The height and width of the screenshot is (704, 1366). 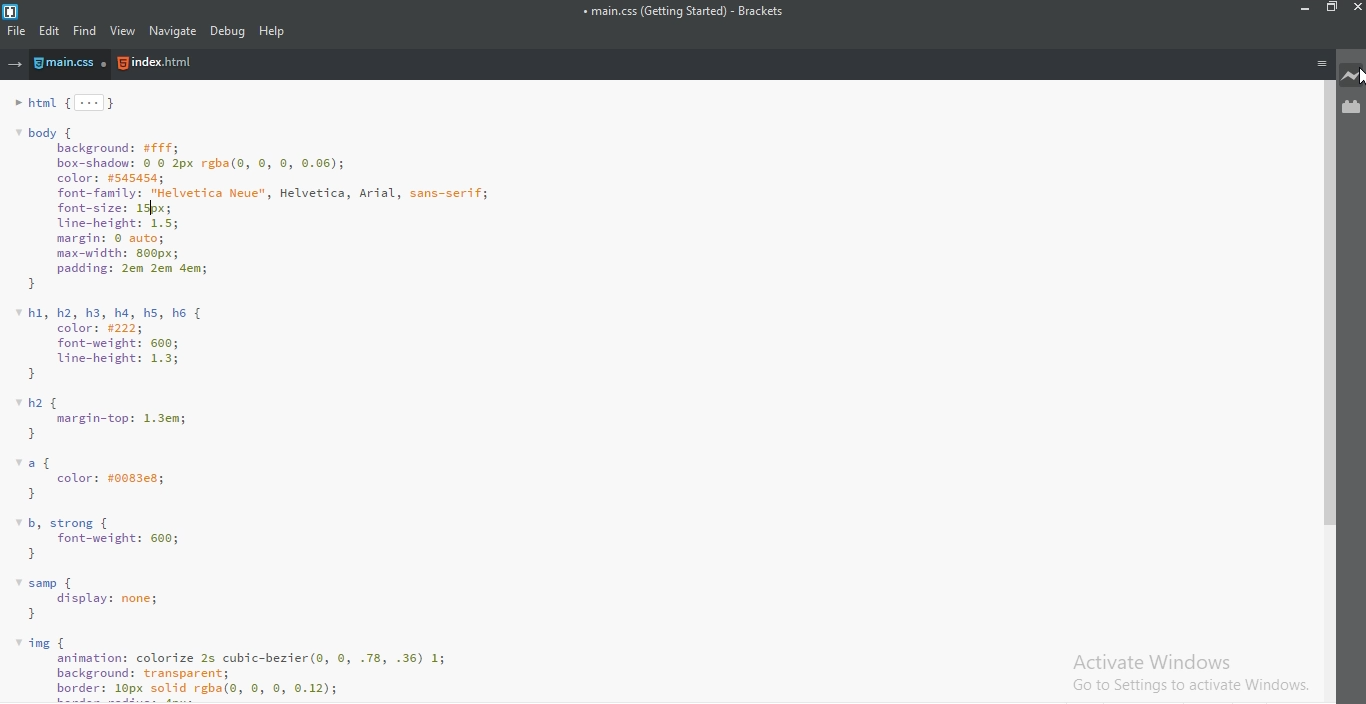 I want to click on debug, so click(x=228, y=31).